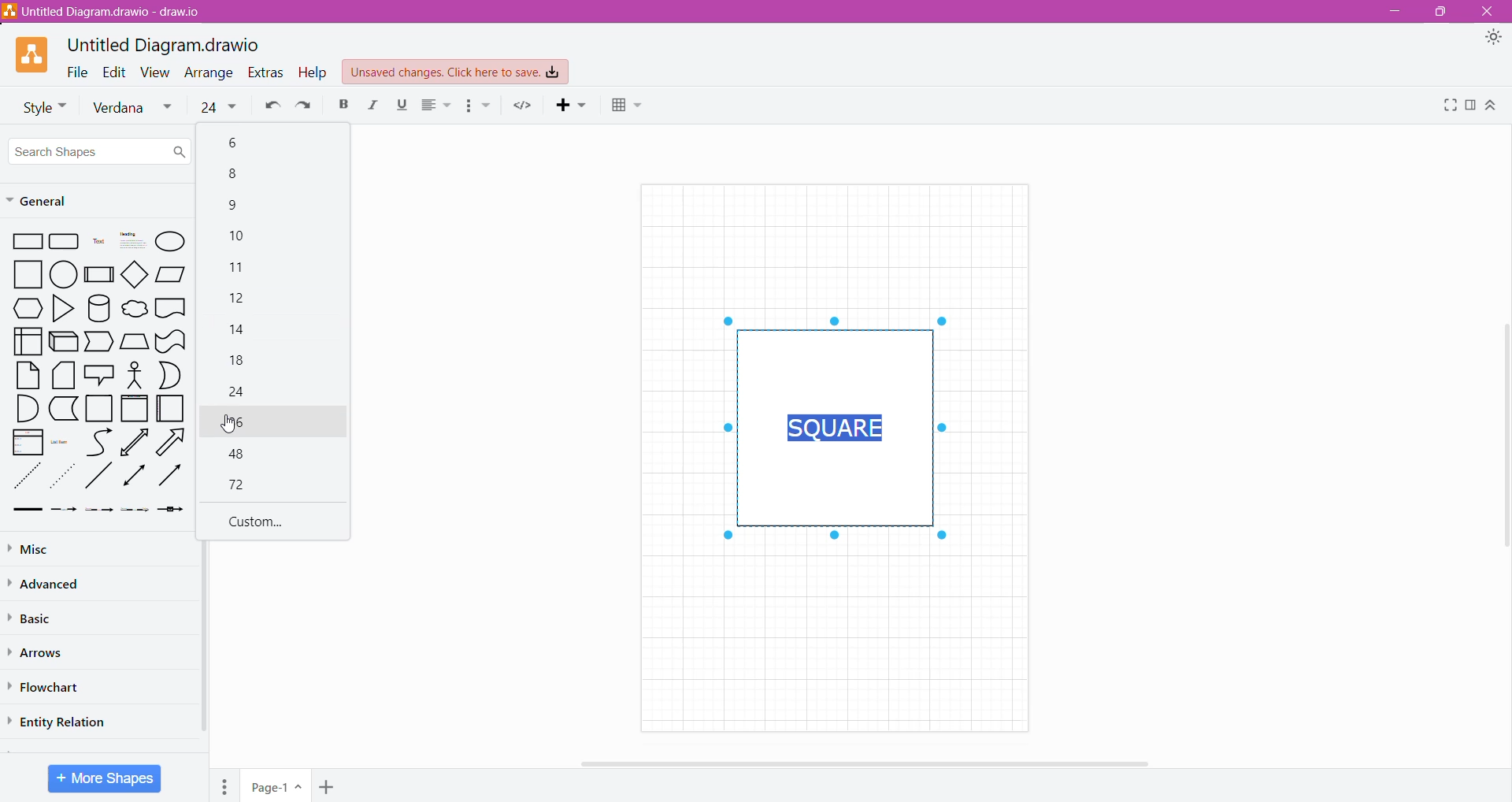 The width and height of the screenshot is (1512, 802). What do you see at coordinates (100, 512) in the screenshot?
I see `Thin Arrow` at bounding box center [100, 512].